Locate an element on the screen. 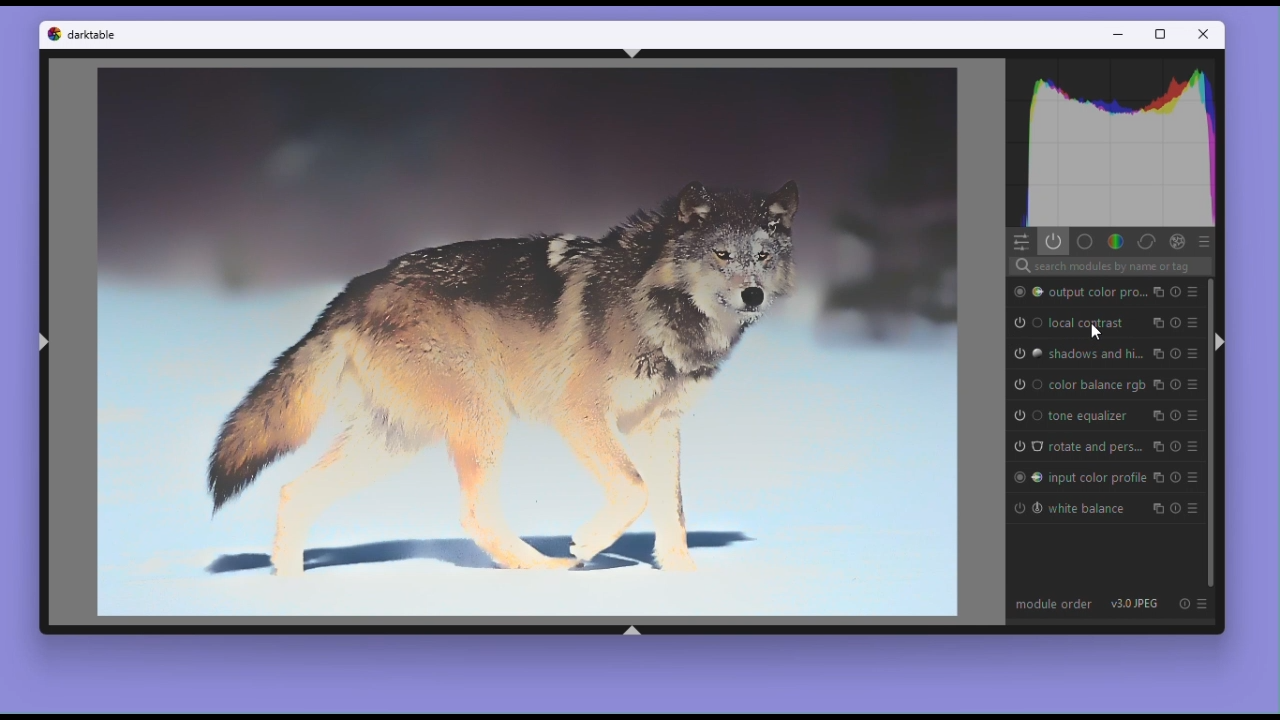 The image size is (1280, 720). V 3.0 JPEG is located at coordinates (1136, 604).